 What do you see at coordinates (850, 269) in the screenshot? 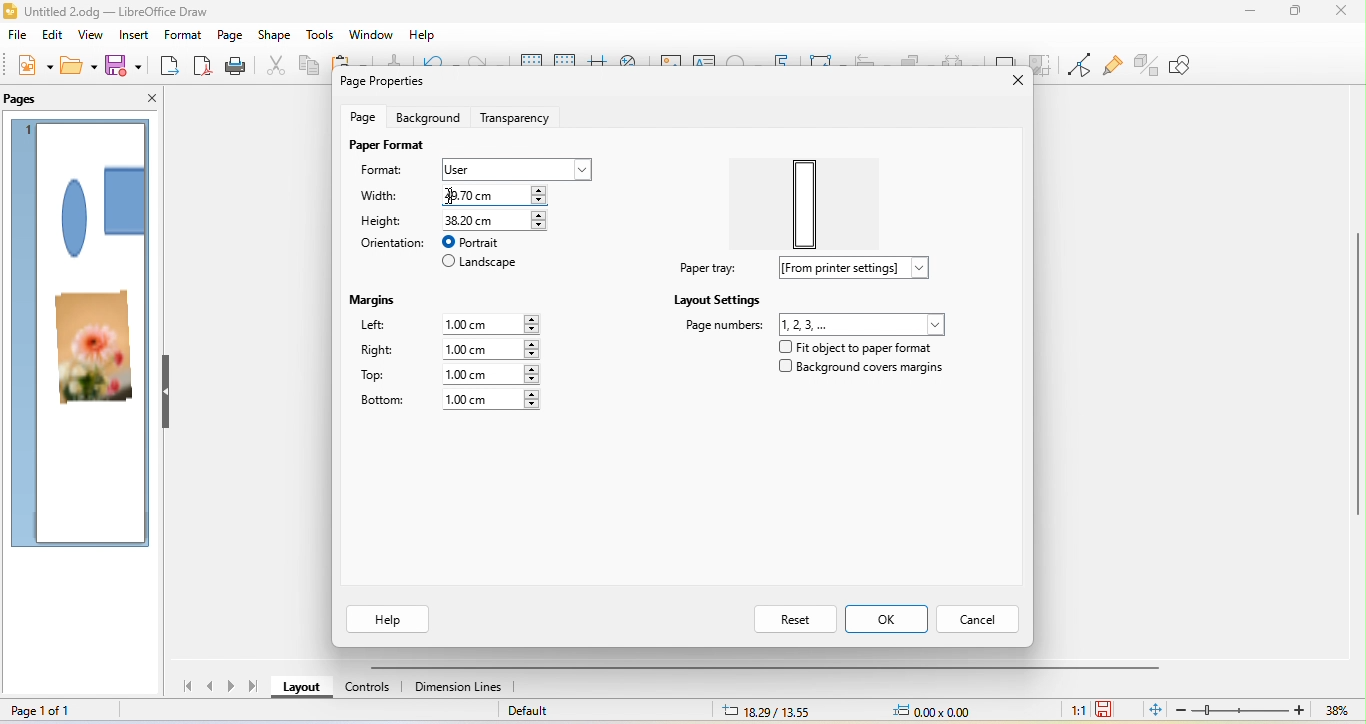
I see `from printer settings` at bounding box center [850, 269].